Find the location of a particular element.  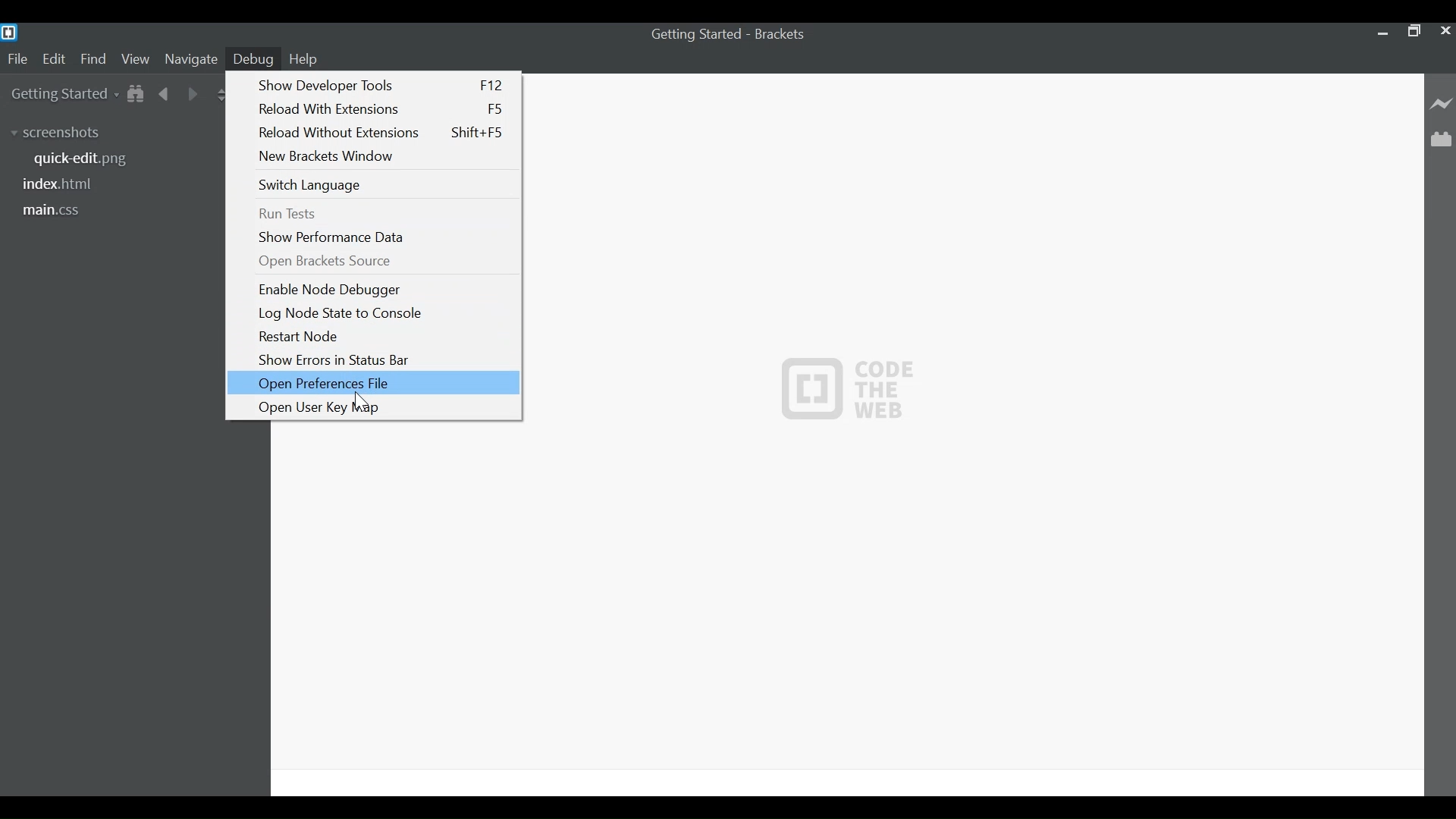

main.css is located at coordinates (49, 211).